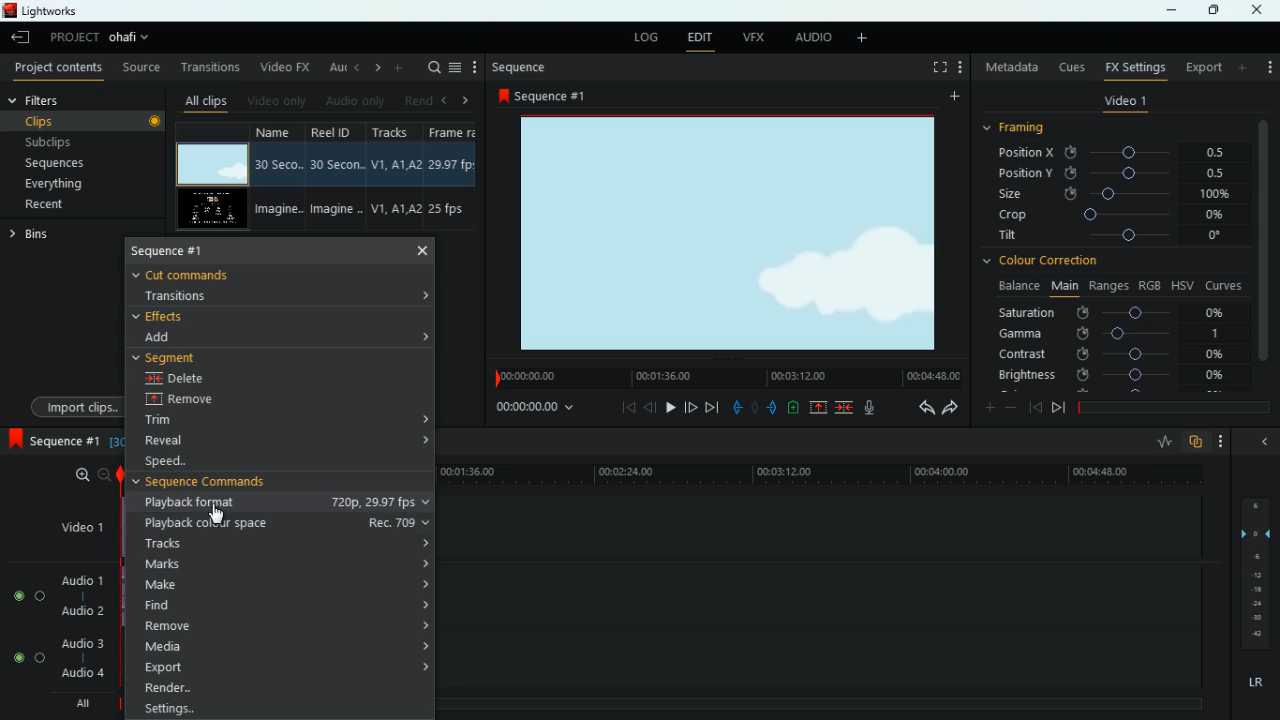 Image resolution: width=1280 pixels, height=720 pixels. I want to click on push, so click(773, 408).